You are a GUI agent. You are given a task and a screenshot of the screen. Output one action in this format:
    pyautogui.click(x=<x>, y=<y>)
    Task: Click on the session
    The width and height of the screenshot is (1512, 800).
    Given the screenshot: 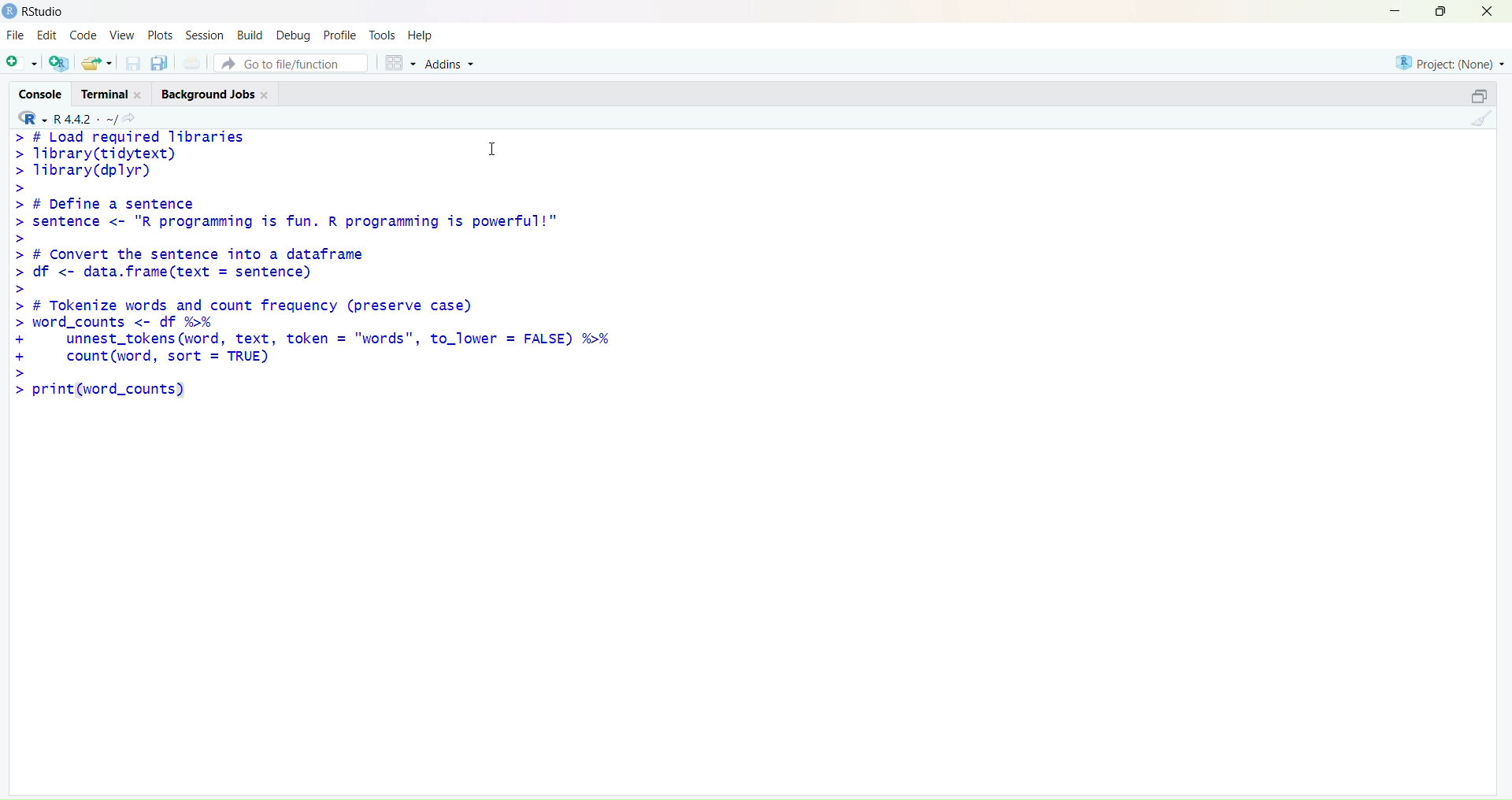 What is the action you would take?
    pyautogui.click(x=205, y=35)
    